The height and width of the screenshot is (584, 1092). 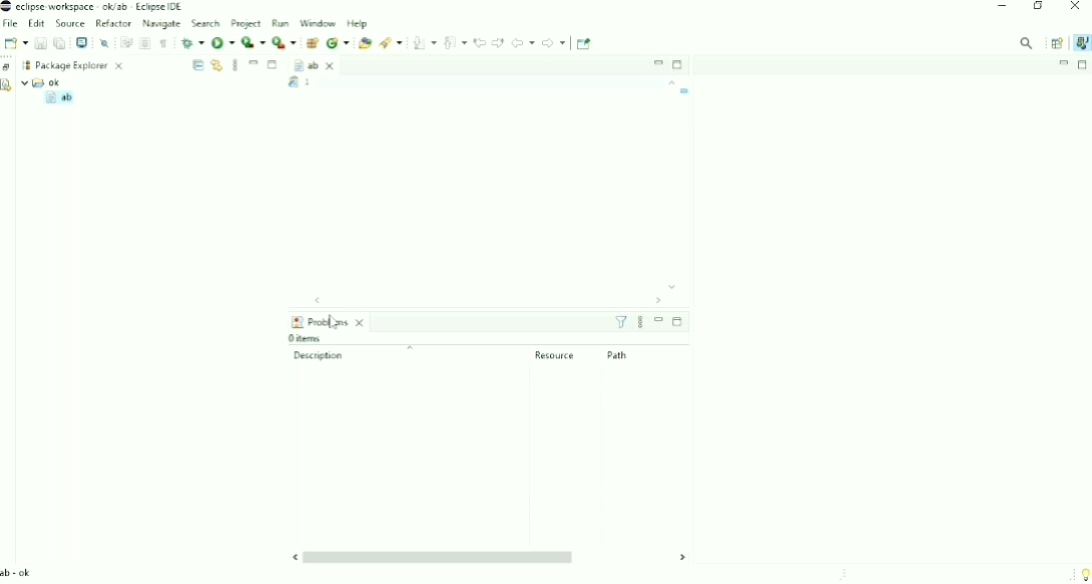 I want to click on Minimize, so click(x=254, y=63).